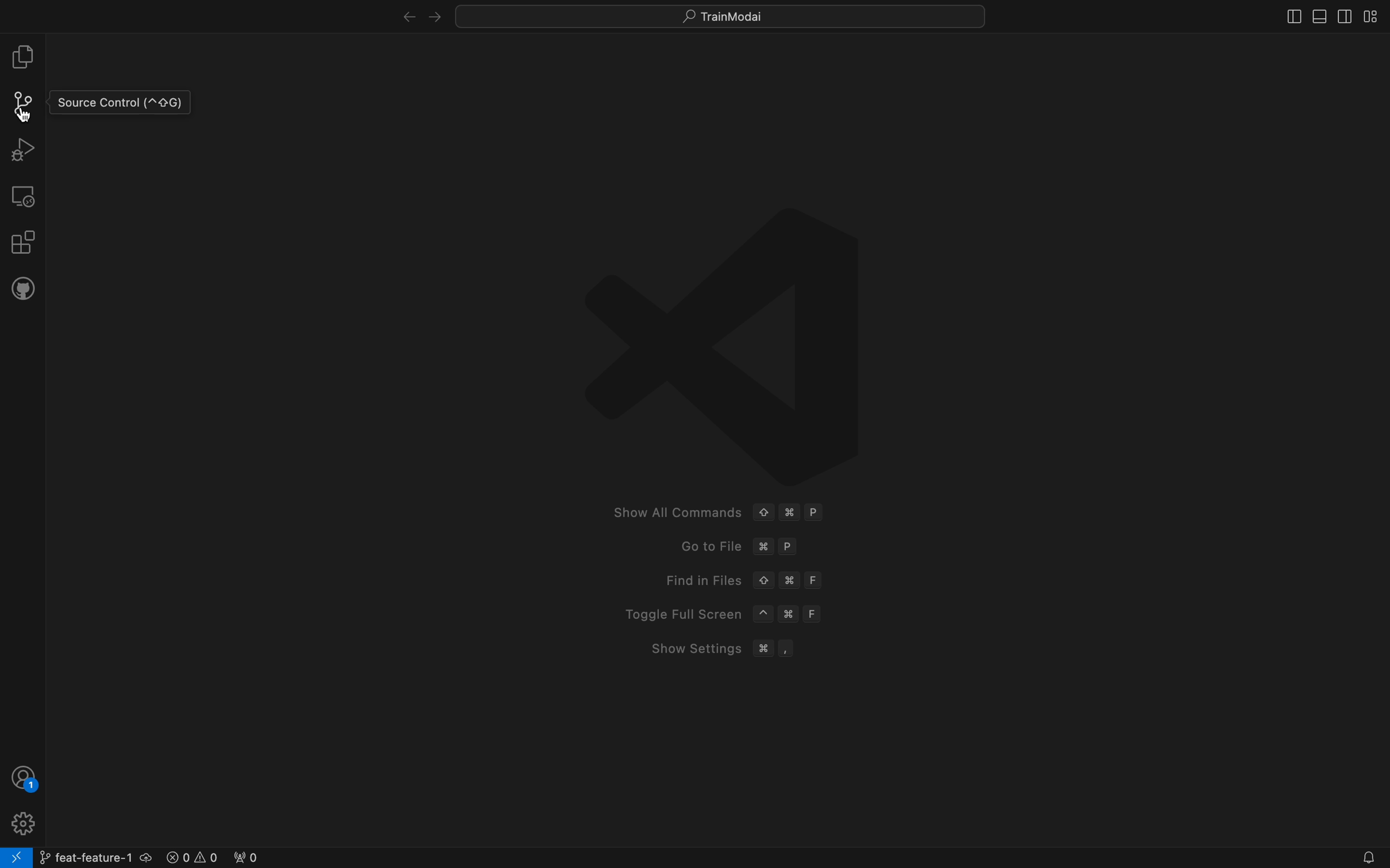 The height and width of the screenshot is (868, 1390). I want to click on Up, so click(763, 513).